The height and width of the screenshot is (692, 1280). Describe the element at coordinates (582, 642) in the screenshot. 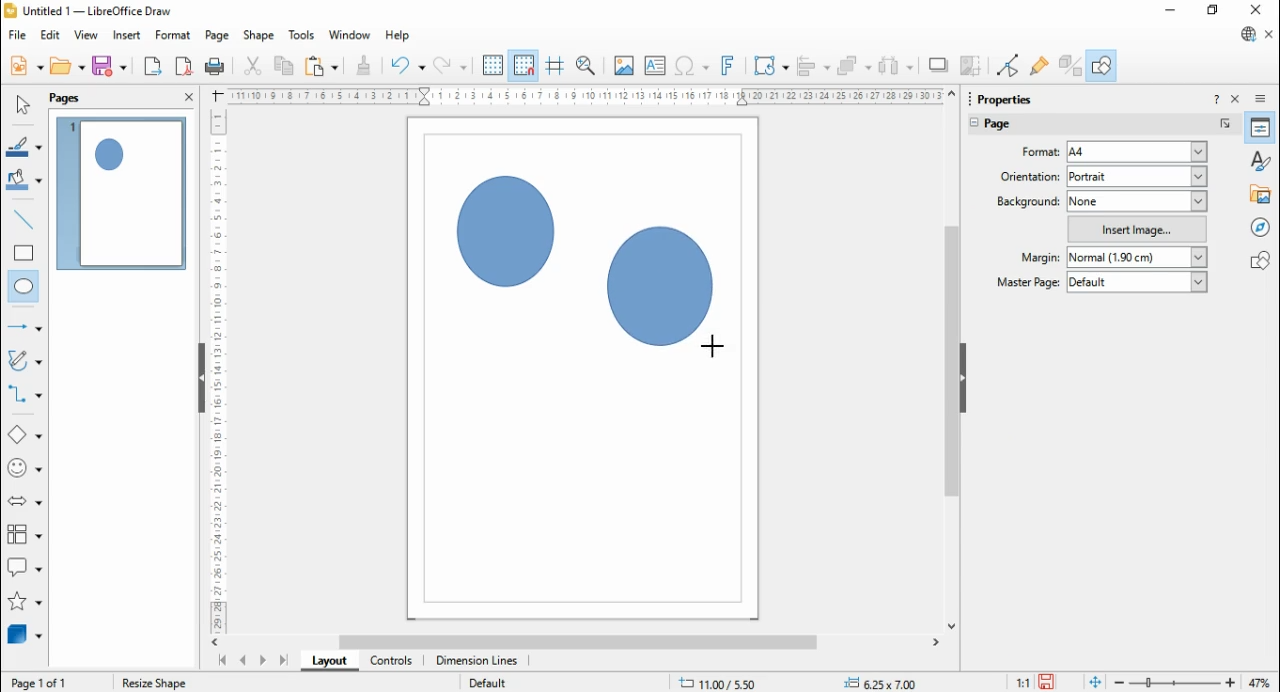

I see `scroll bar` at that location.